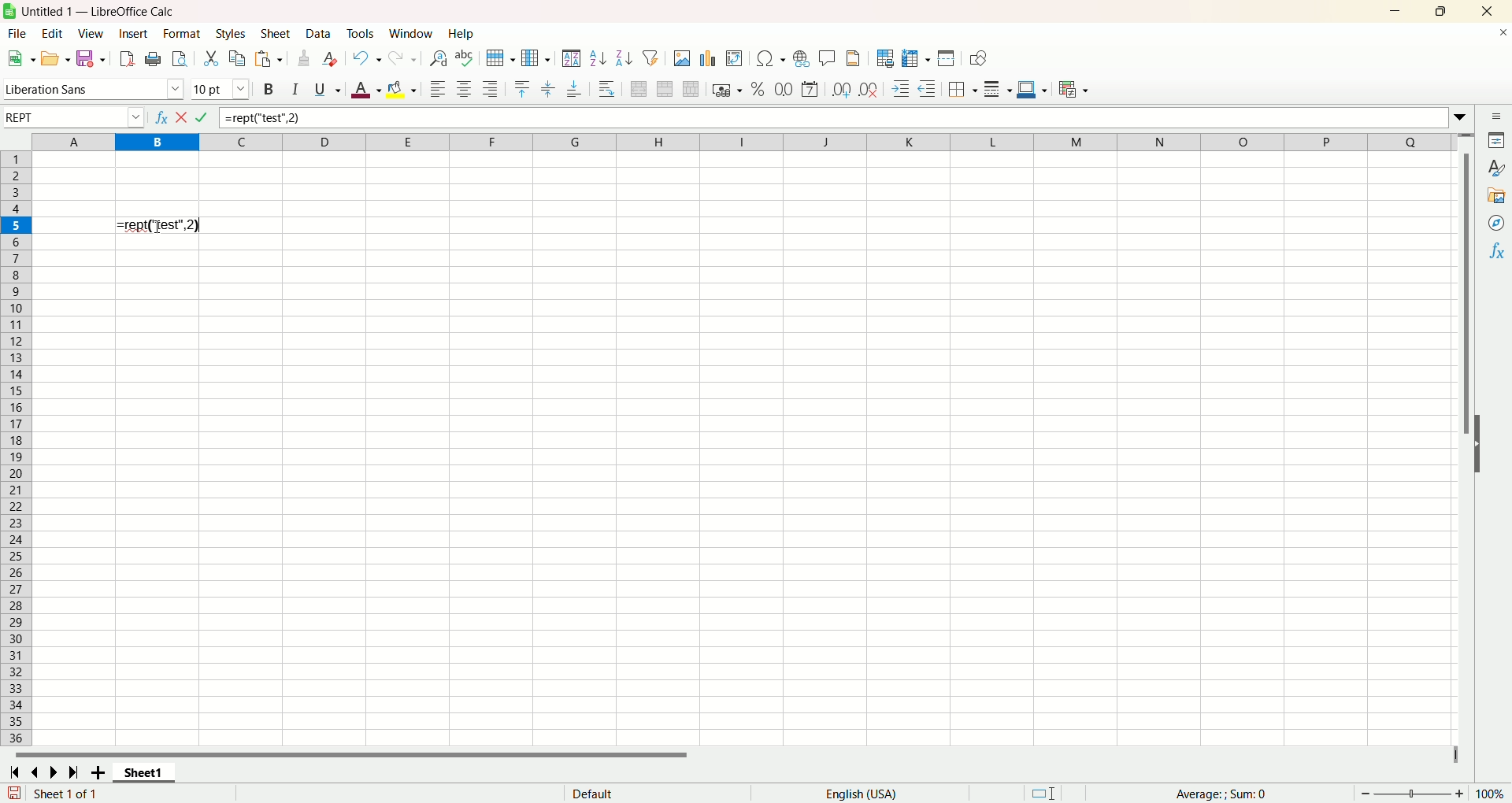 This screenshot has width=1512, height=803. I want to click on border style, so click(999, 90).